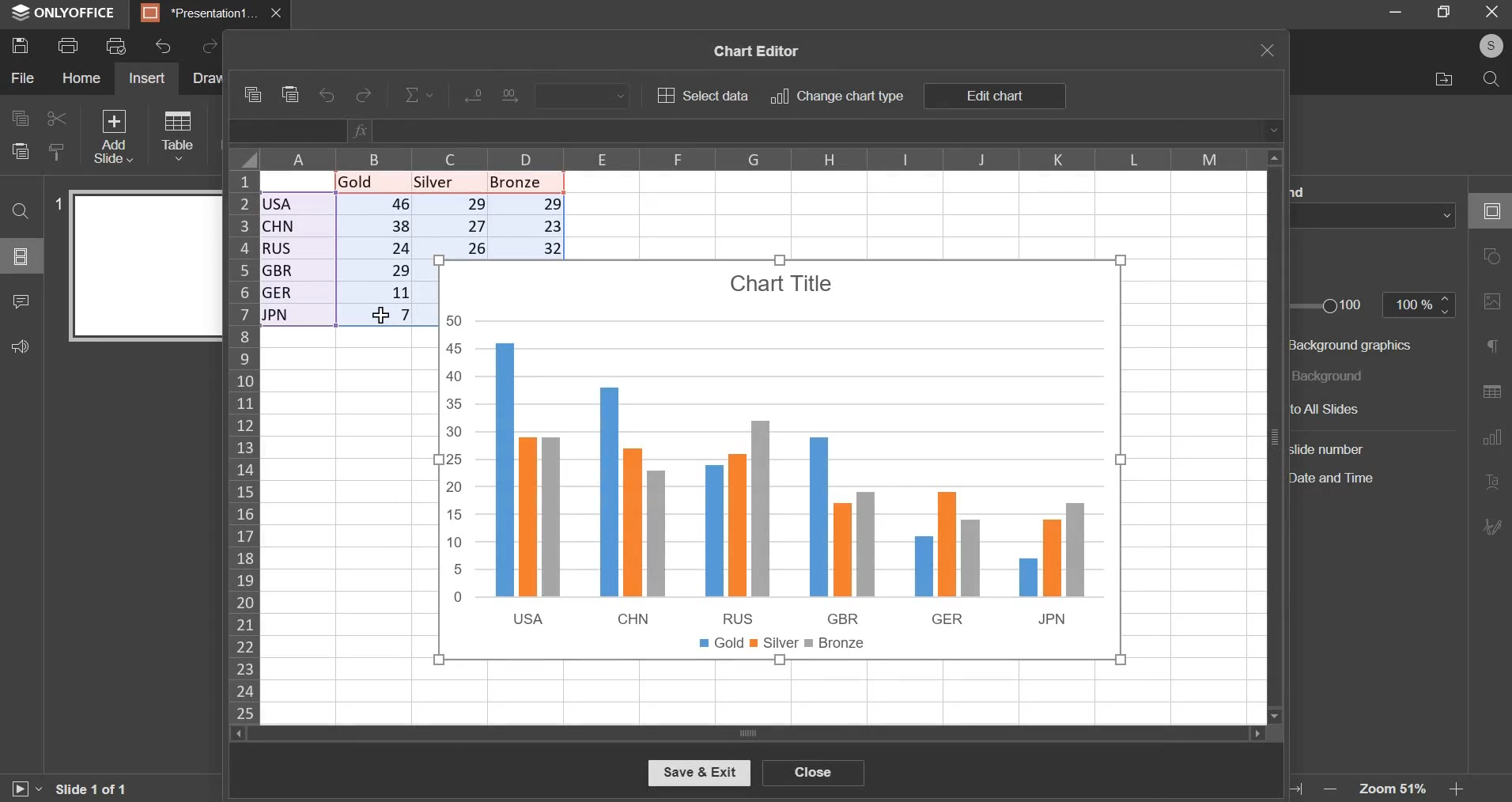 The height and width of the screenshot is (802, 1512). Describe the element at coordinates (813, 771) in the screenshot. I see `close` at that location.